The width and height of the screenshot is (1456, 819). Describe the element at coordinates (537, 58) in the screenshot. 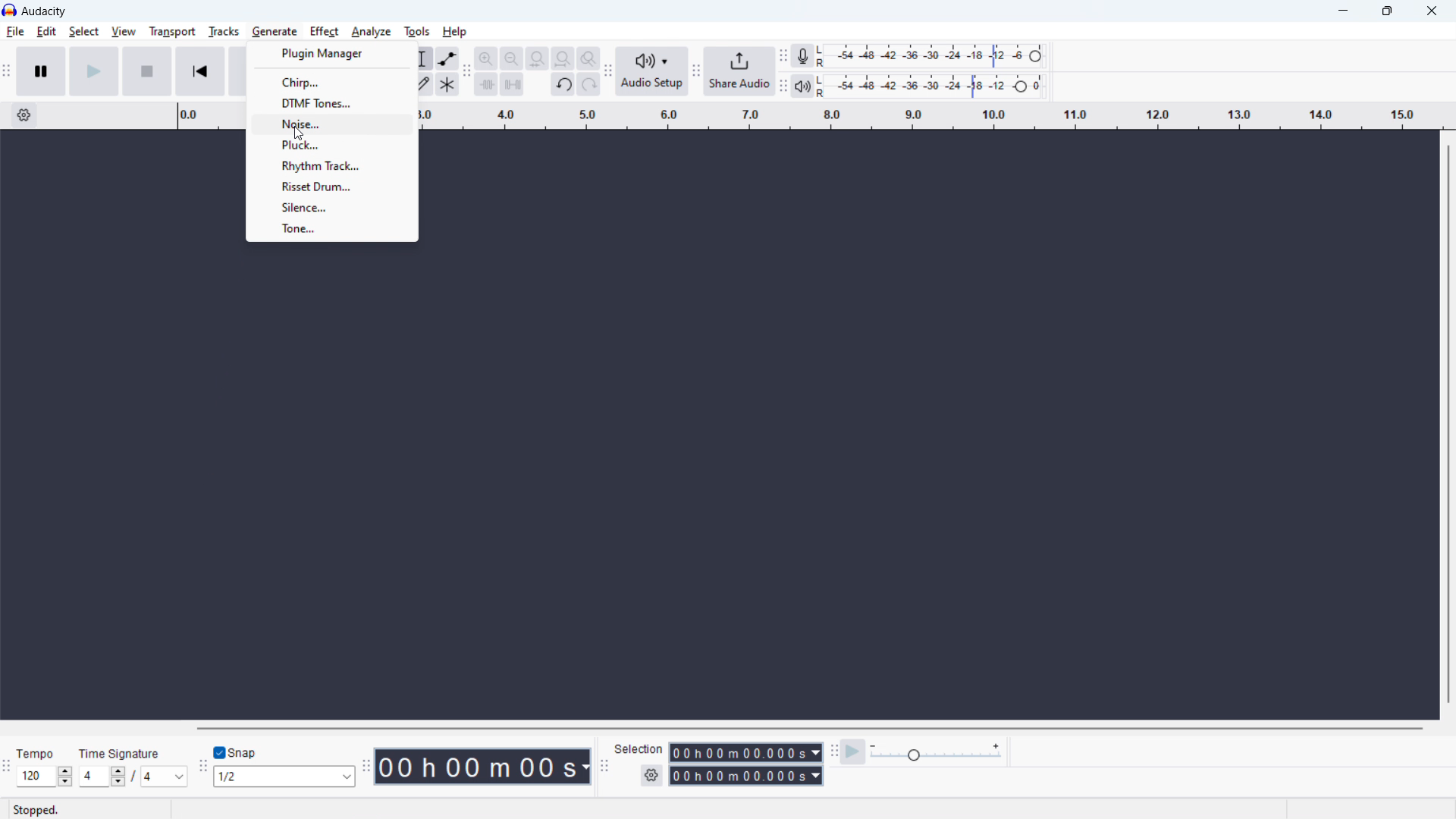

I see `fit selection to width` at that location.